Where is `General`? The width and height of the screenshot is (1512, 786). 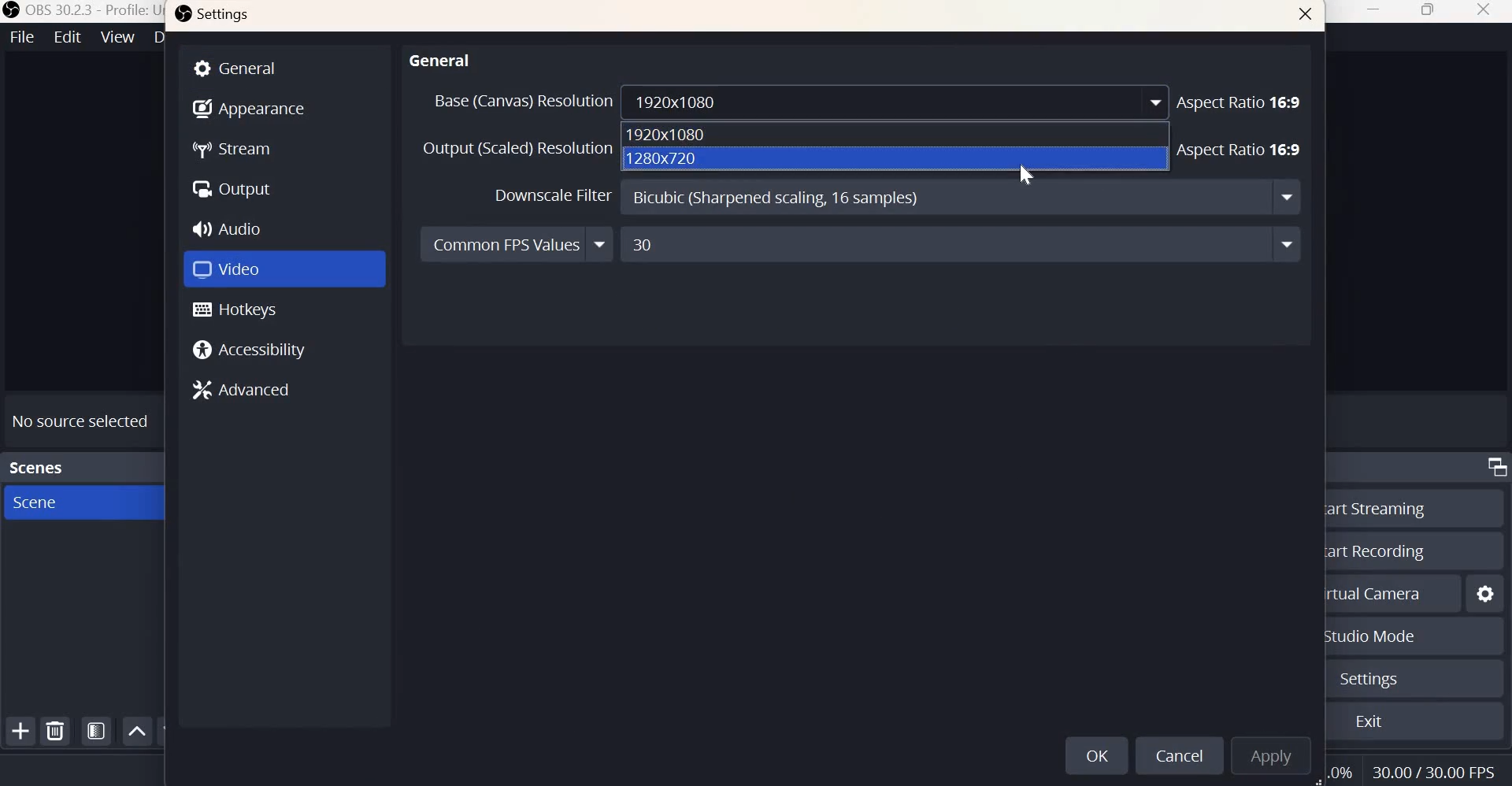
General is located at coordinates (285, 67).